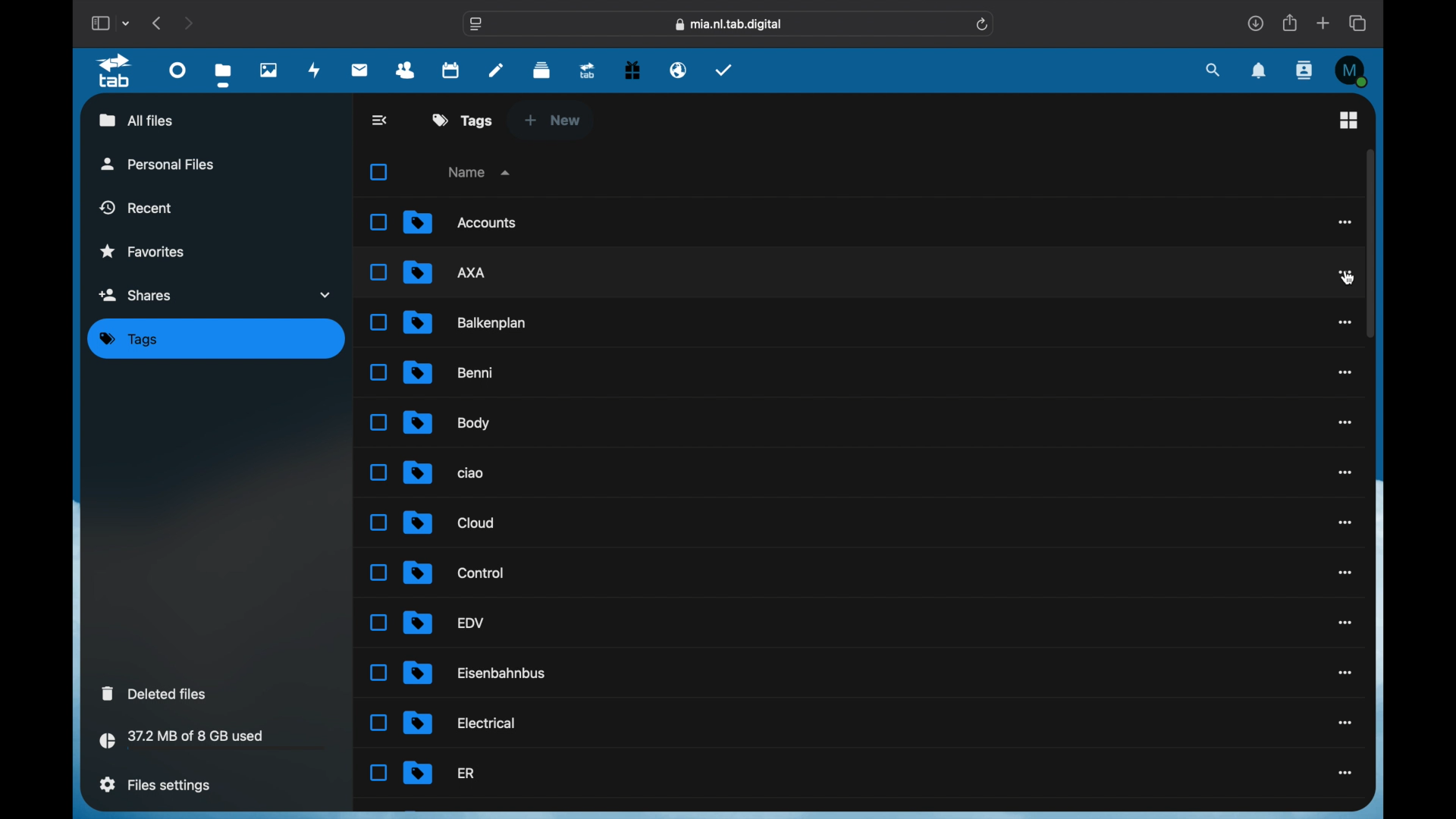 The width and height of the screenshot is (1456, 819). What do you see at coordinates (460, 221) in the screenshot?
I see `file` at bounding box center [460, 221].